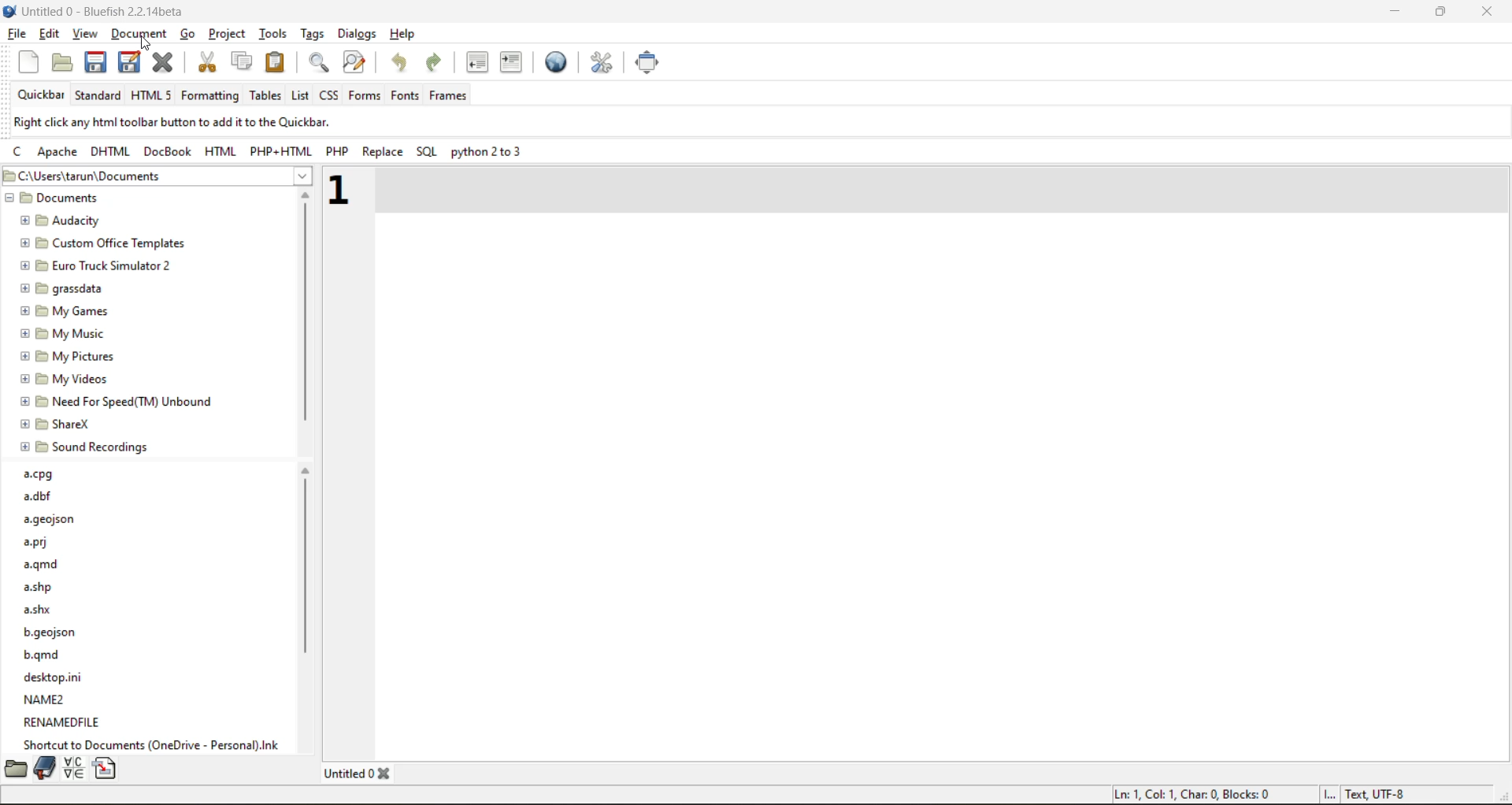 This screenshot has height=805, width=1512. What do you see at coordinates (63, 335) in the screenshot?
I see `my music` at bounding box center [63, 335].